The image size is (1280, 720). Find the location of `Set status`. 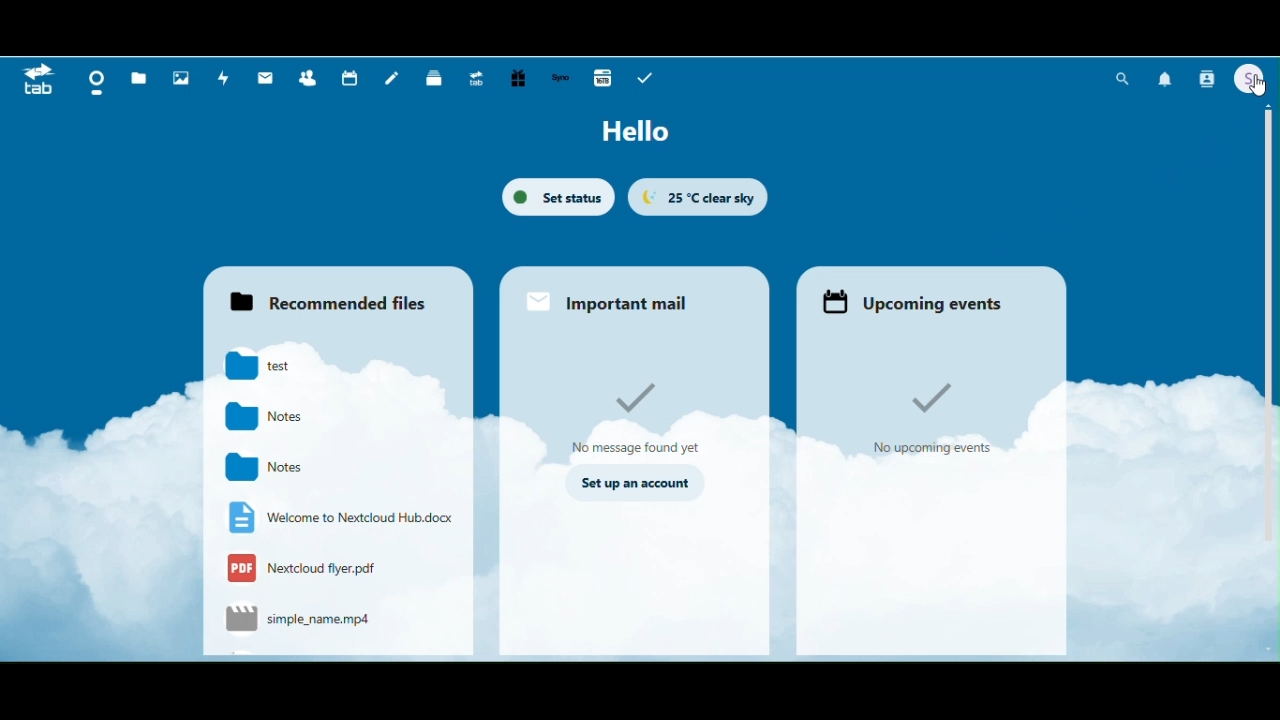

Set status is located at coordinates (558, 197).